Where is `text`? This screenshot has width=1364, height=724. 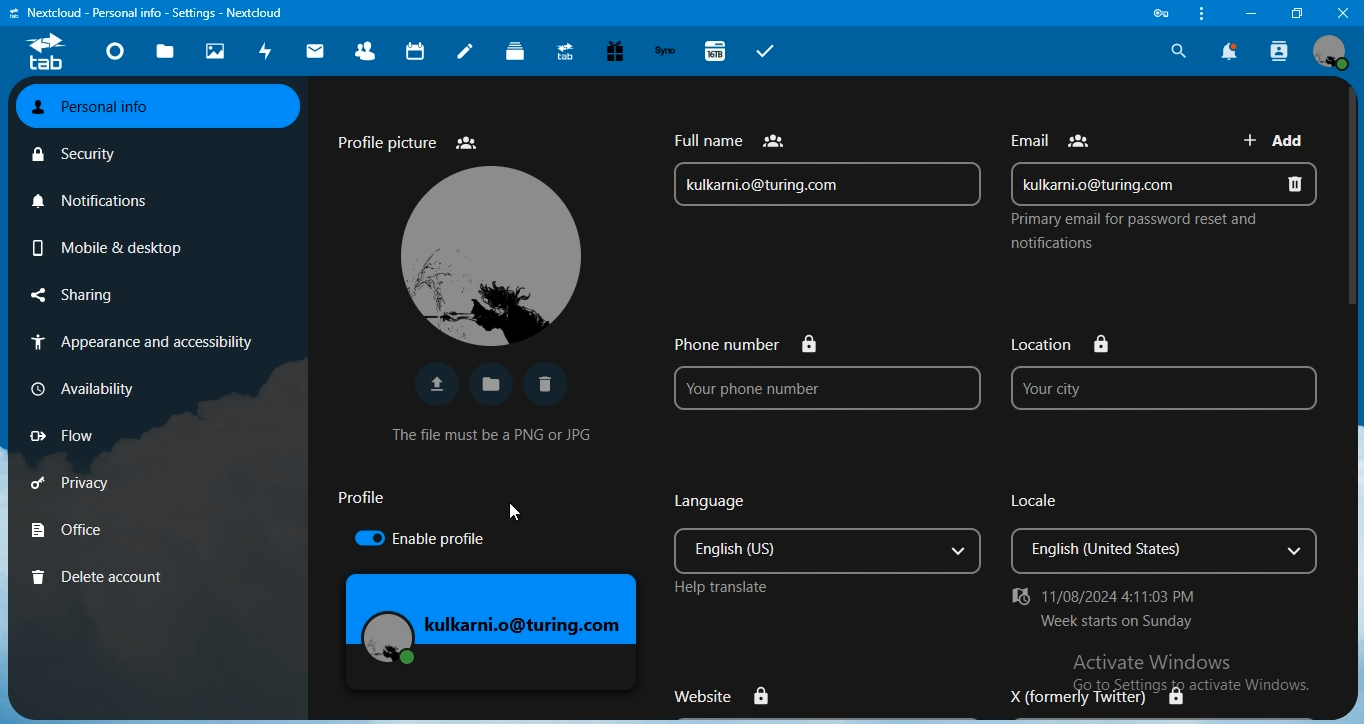 text is located at coordinates (1130, 233).